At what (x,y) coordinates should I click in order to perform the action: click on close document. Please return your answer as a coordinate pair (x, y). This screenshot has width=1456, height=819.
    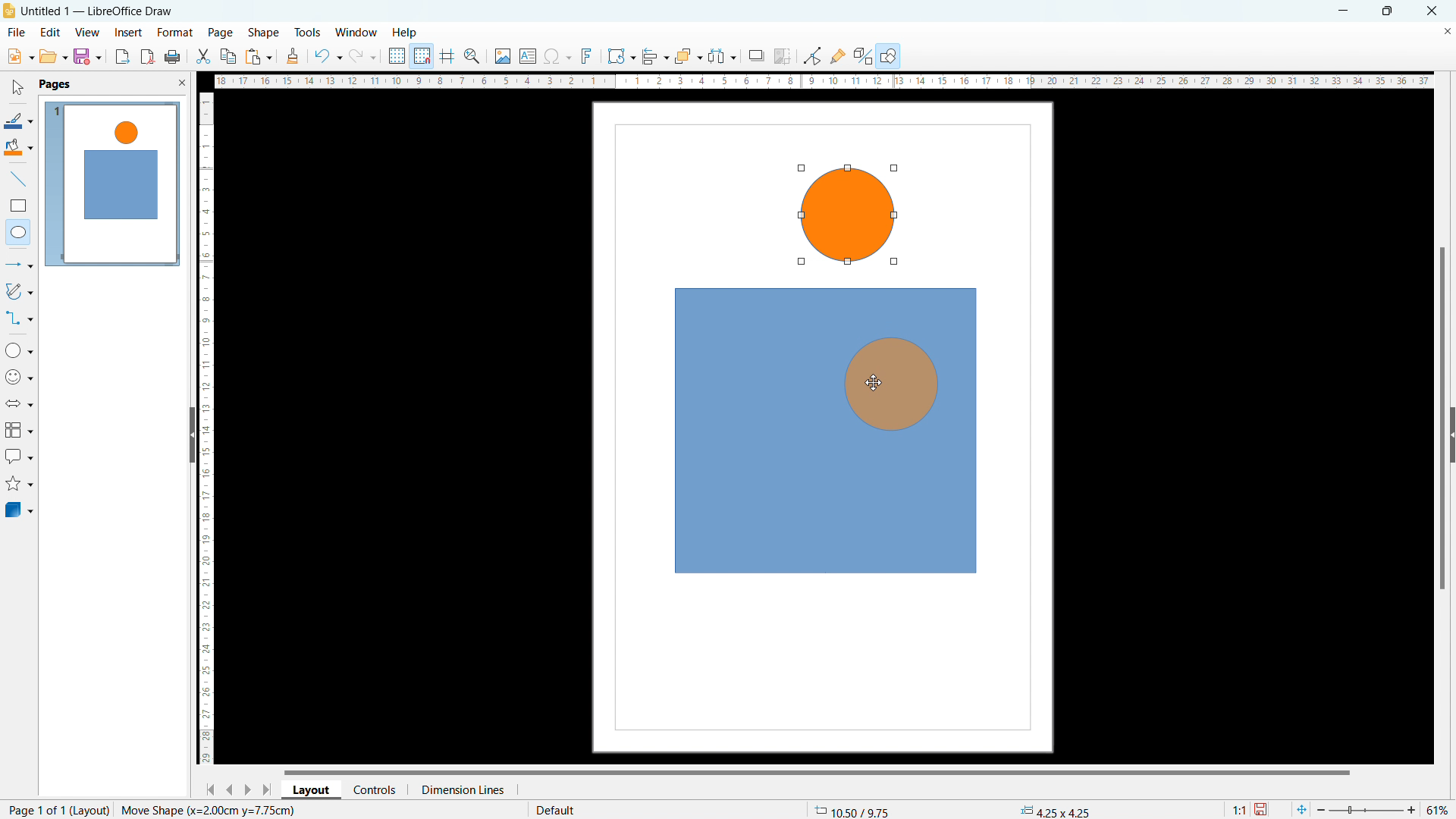
    Looking at the image, I should click on (1447, 30).